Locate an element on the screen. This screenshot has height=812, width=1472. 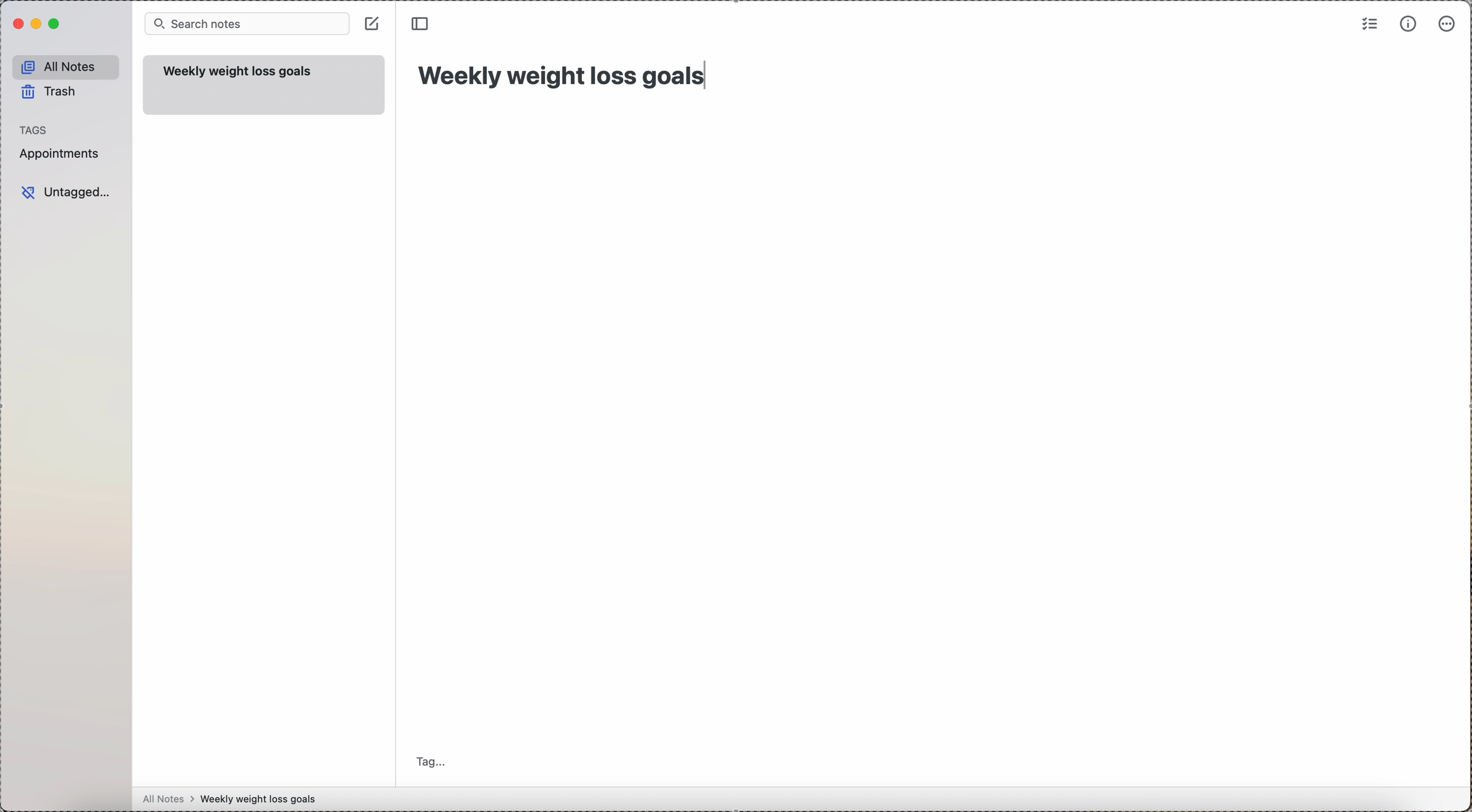
tags is located at coordinates (35, 130).